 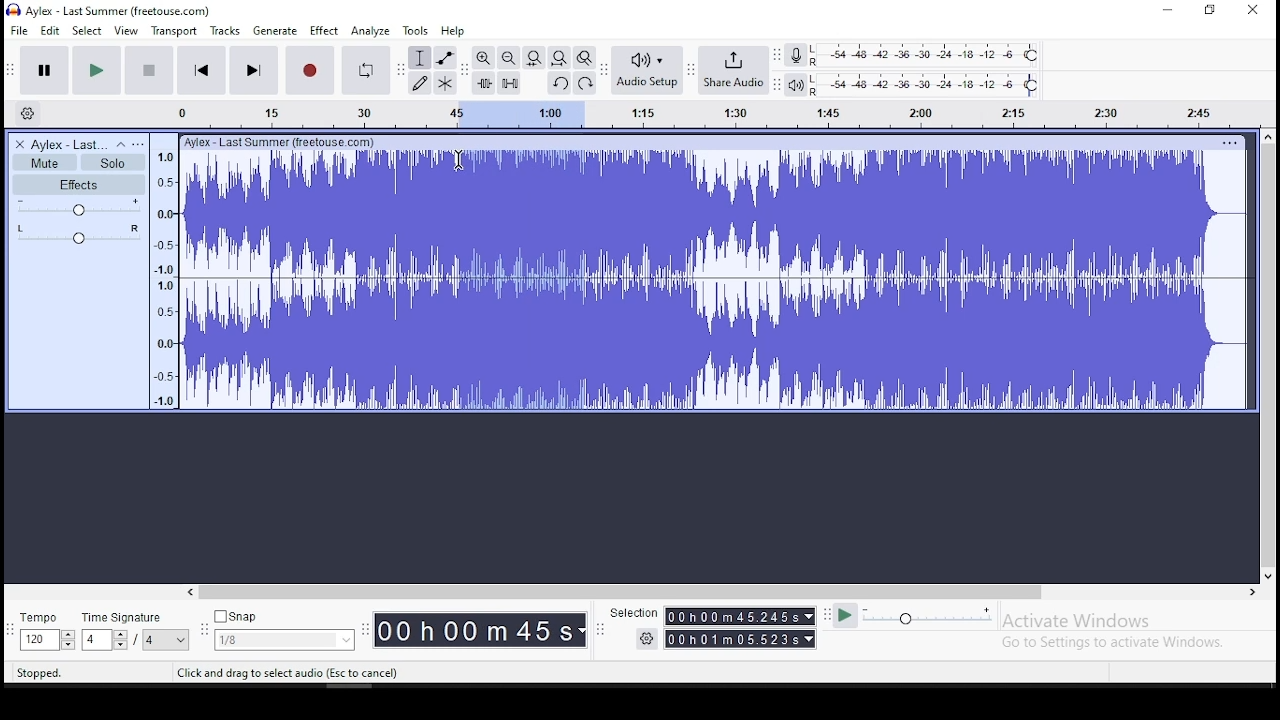 I want to click on restore, so click(x=1210, y=11).